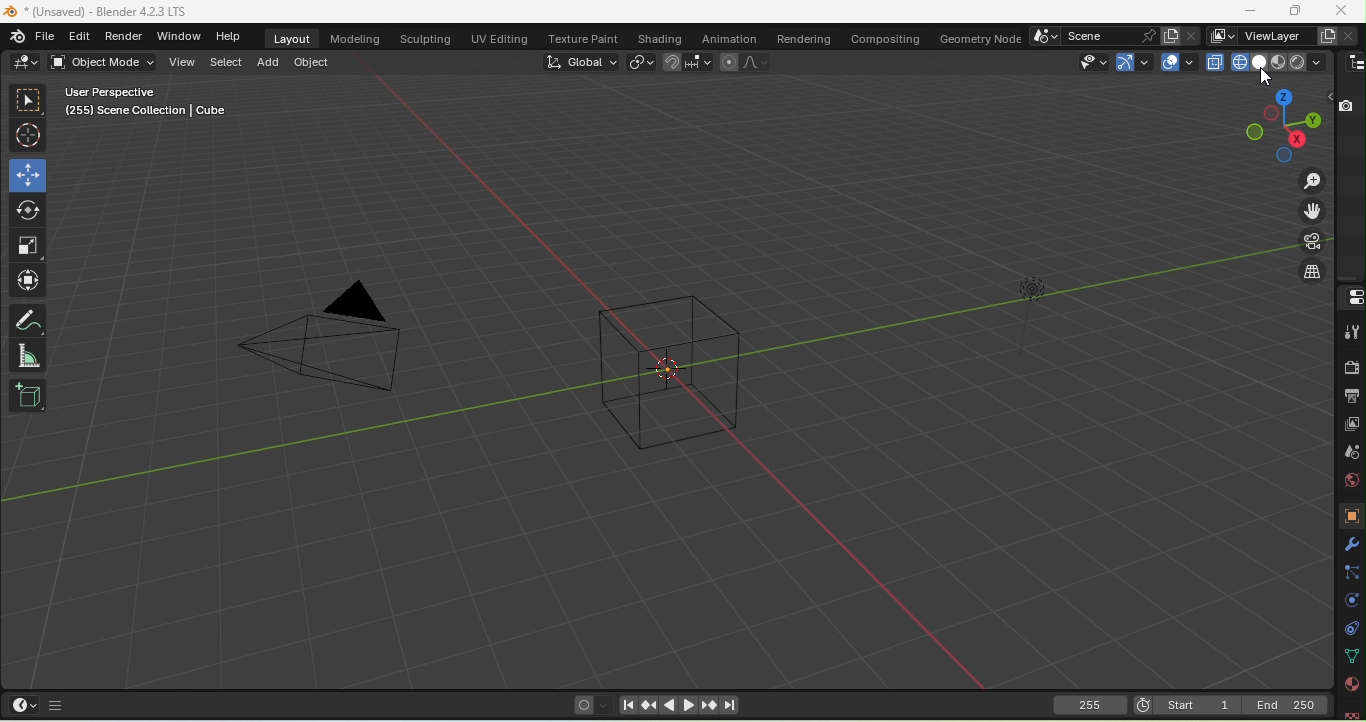 This screenshot has width=1366, height=722. I want to click on Viewport shading: Rendered, so click(1298, 62).